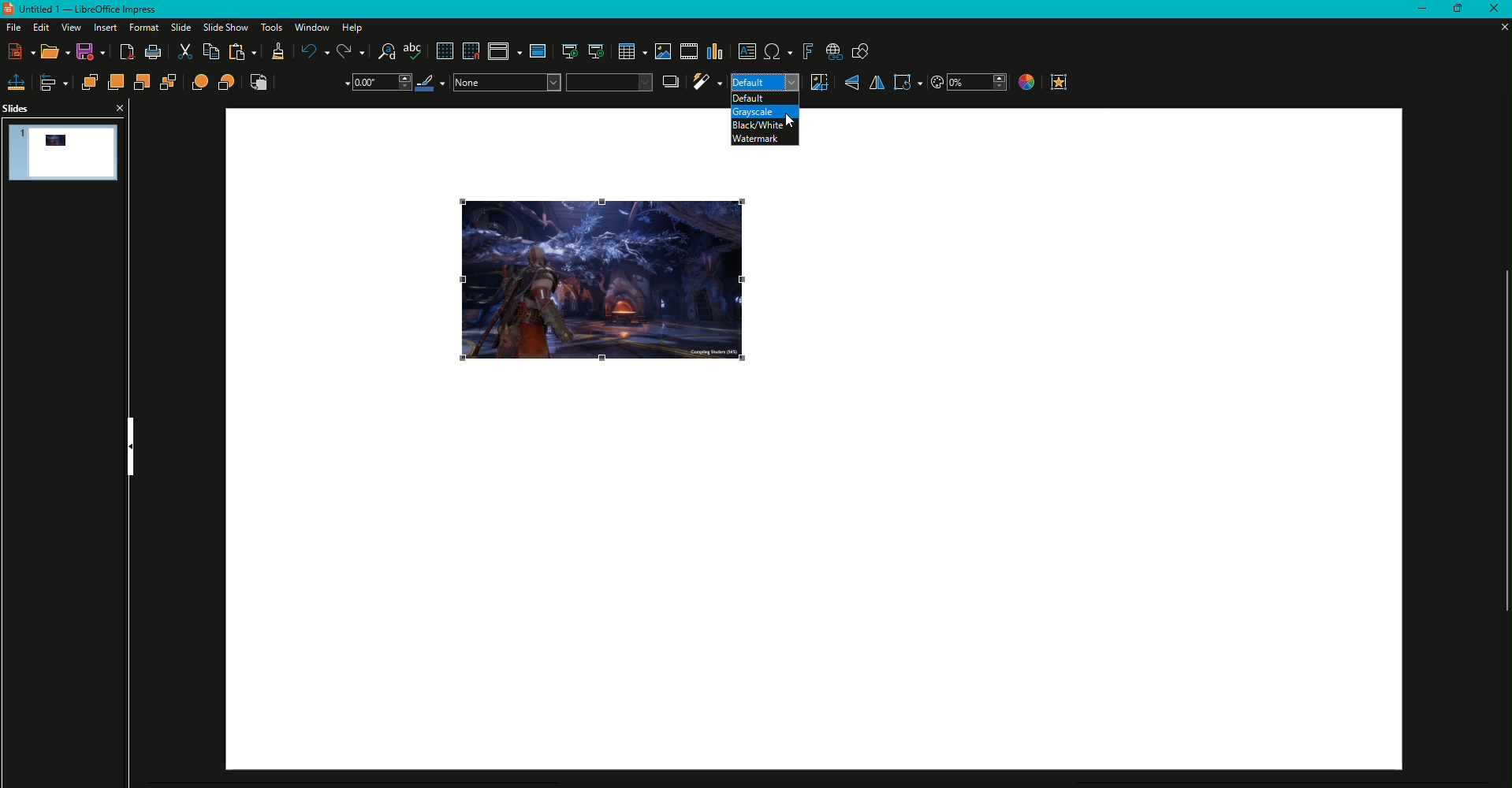  What do you see at coordinates (17, 82) in the screenshot?
I see `Position and Size` at bounding box center [17, 82].